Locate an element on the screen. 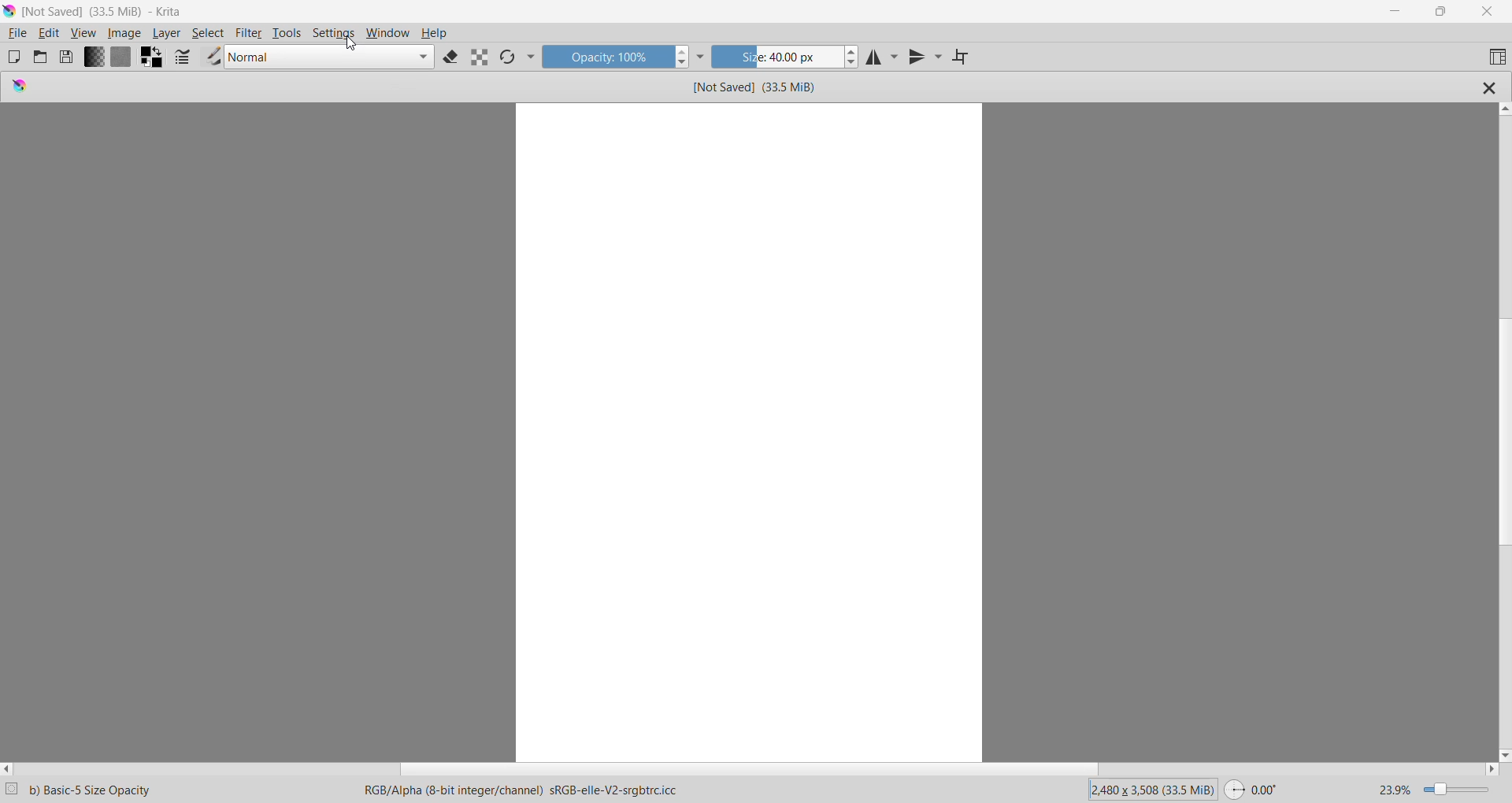 This screenshot has height=803, width=1512. Reload Original Preset is located at coordinates (508, 56).